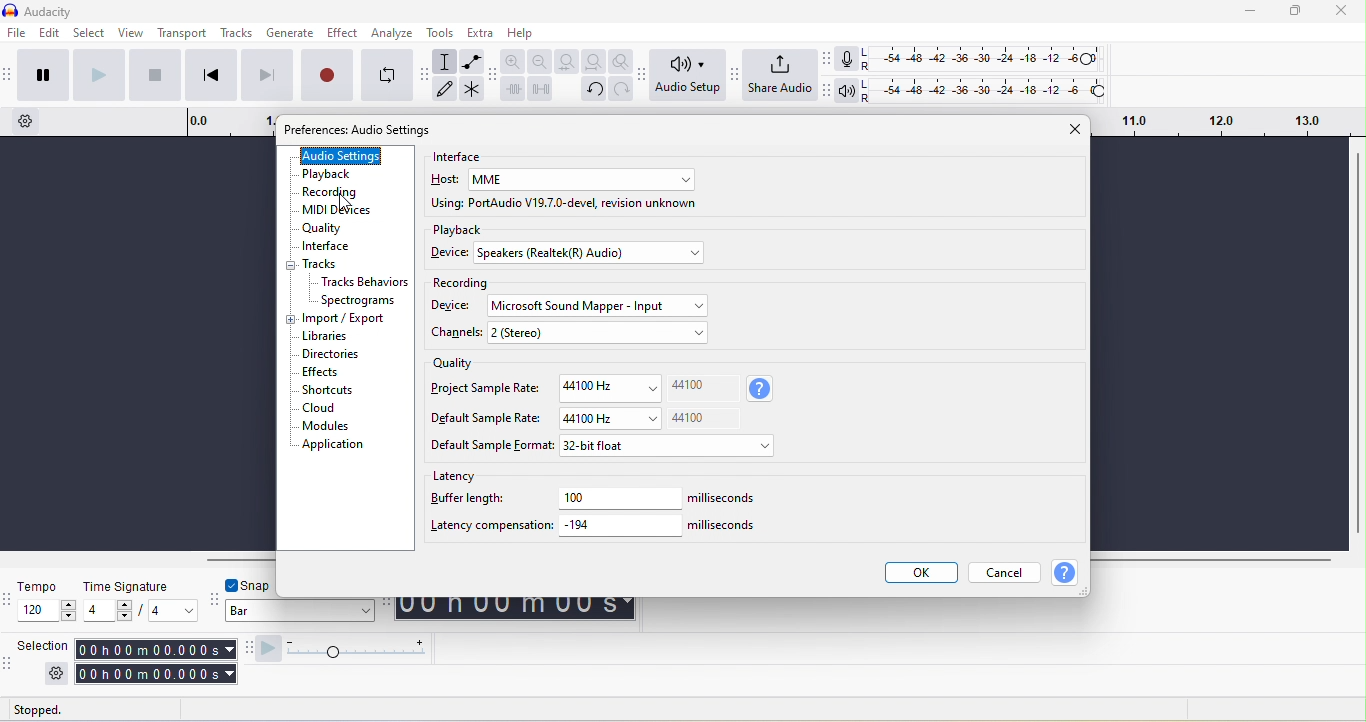 This screenshot has height=722, width=1366. What do you see at coordinates (590, 181) in the screenshot?
I see `mme` at bounding box center [590, 181].